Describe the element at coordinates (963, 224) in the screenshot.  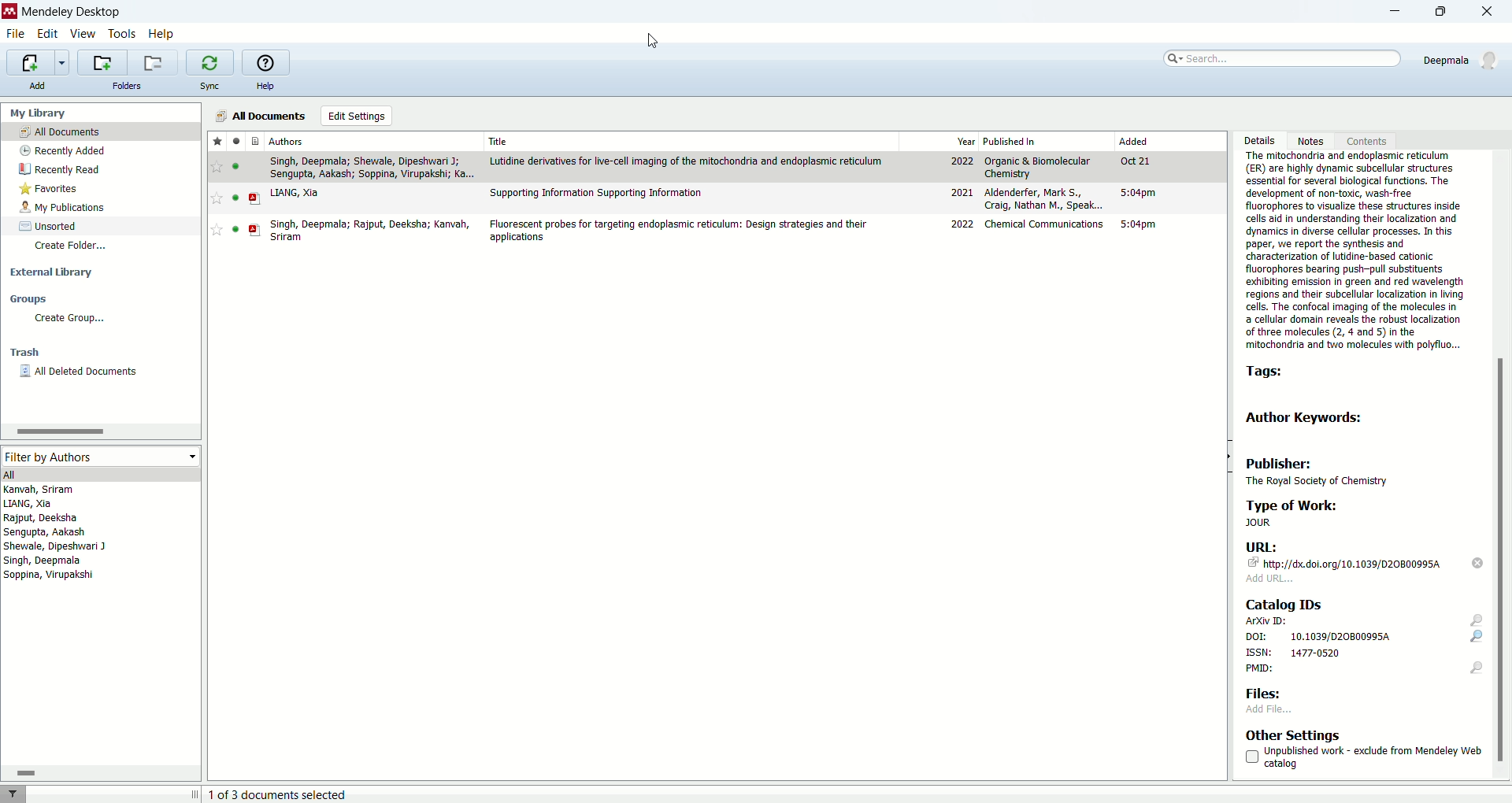
I see `2022` at that location.